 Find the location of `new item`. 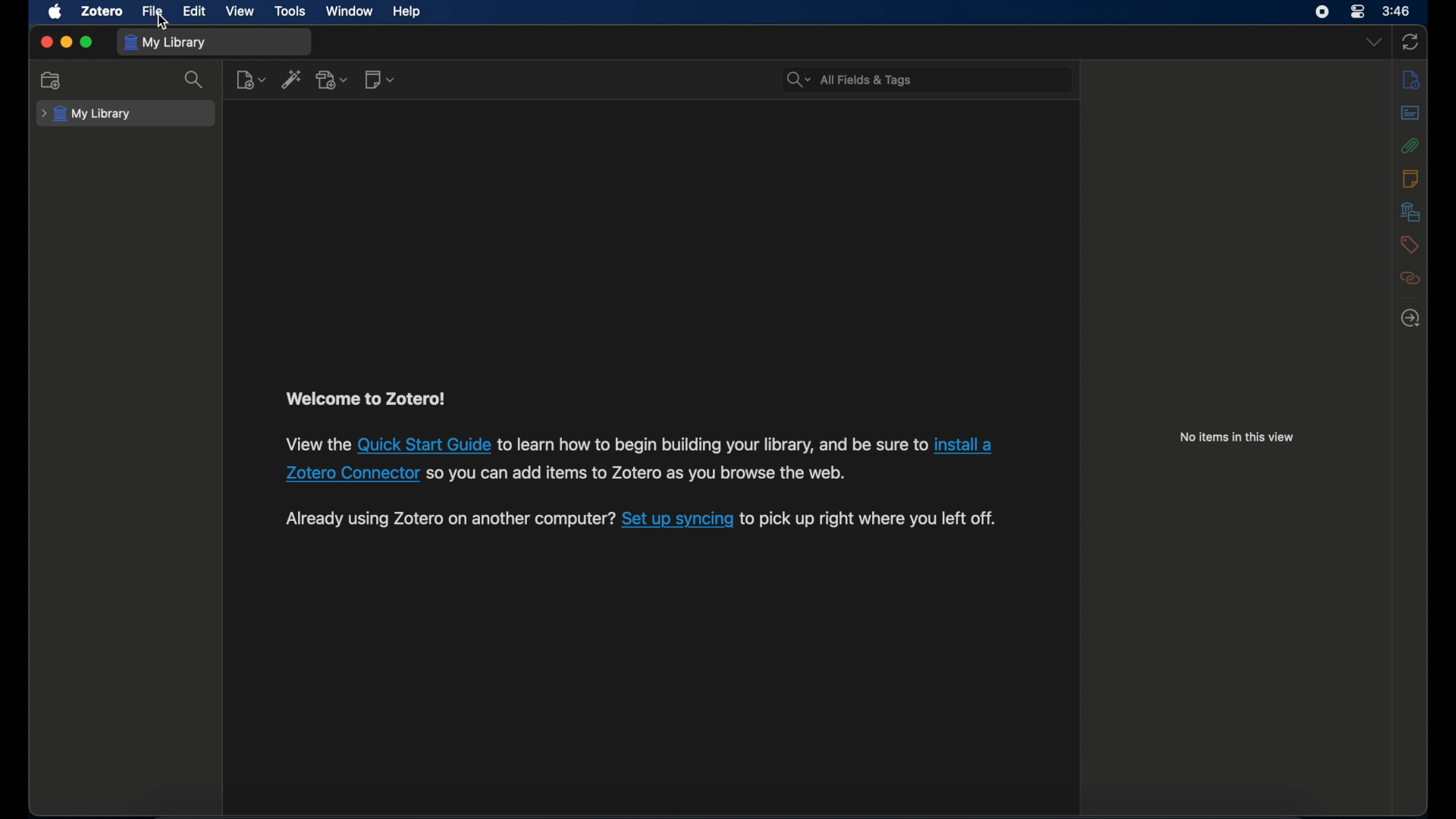

new item is located at coordinates (251, 79).